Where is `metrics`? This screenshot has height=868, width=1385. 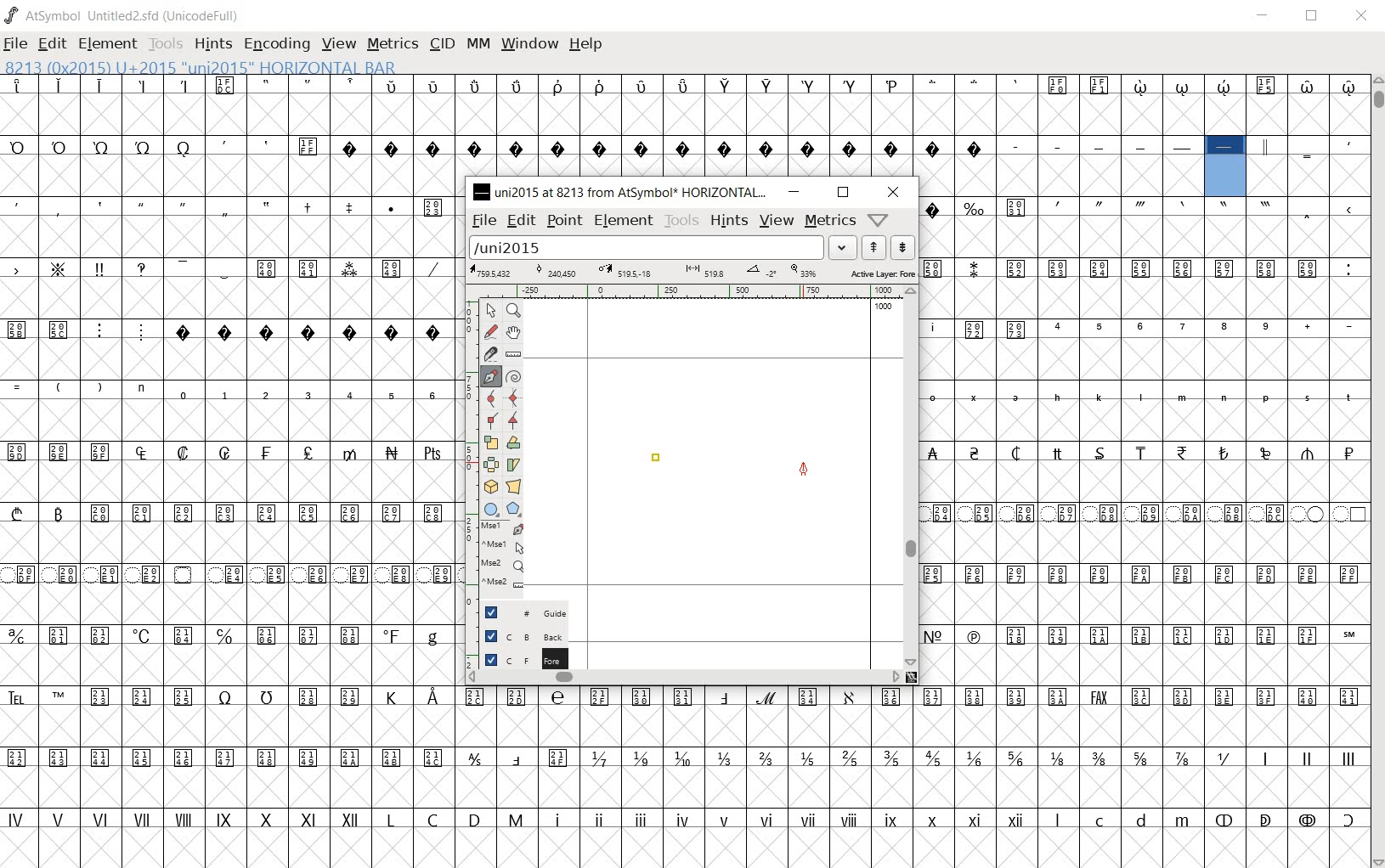 metrics is located at coordinates (828, 220).